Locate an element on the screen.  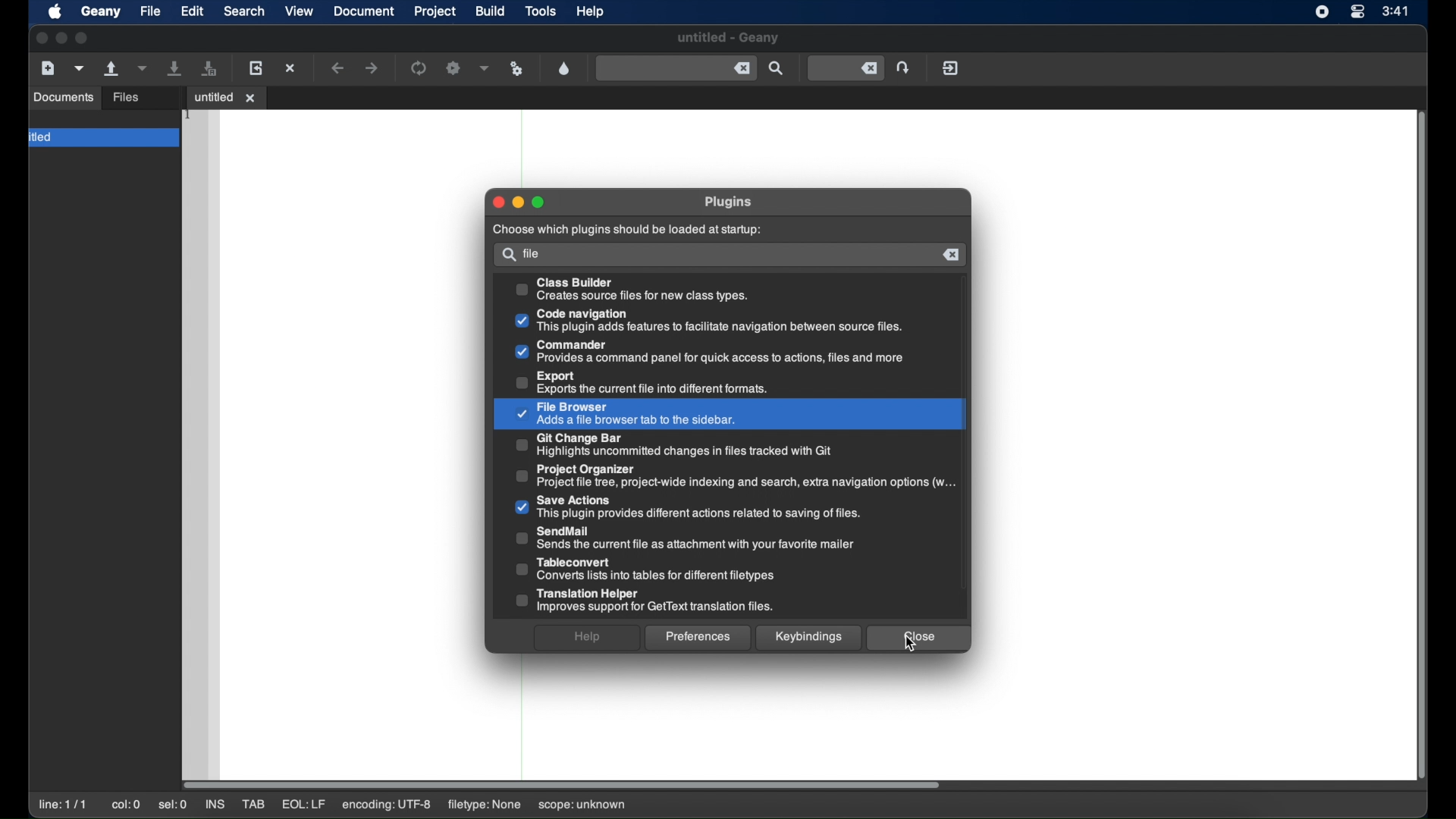
folder is located at coordinates (43, 118).